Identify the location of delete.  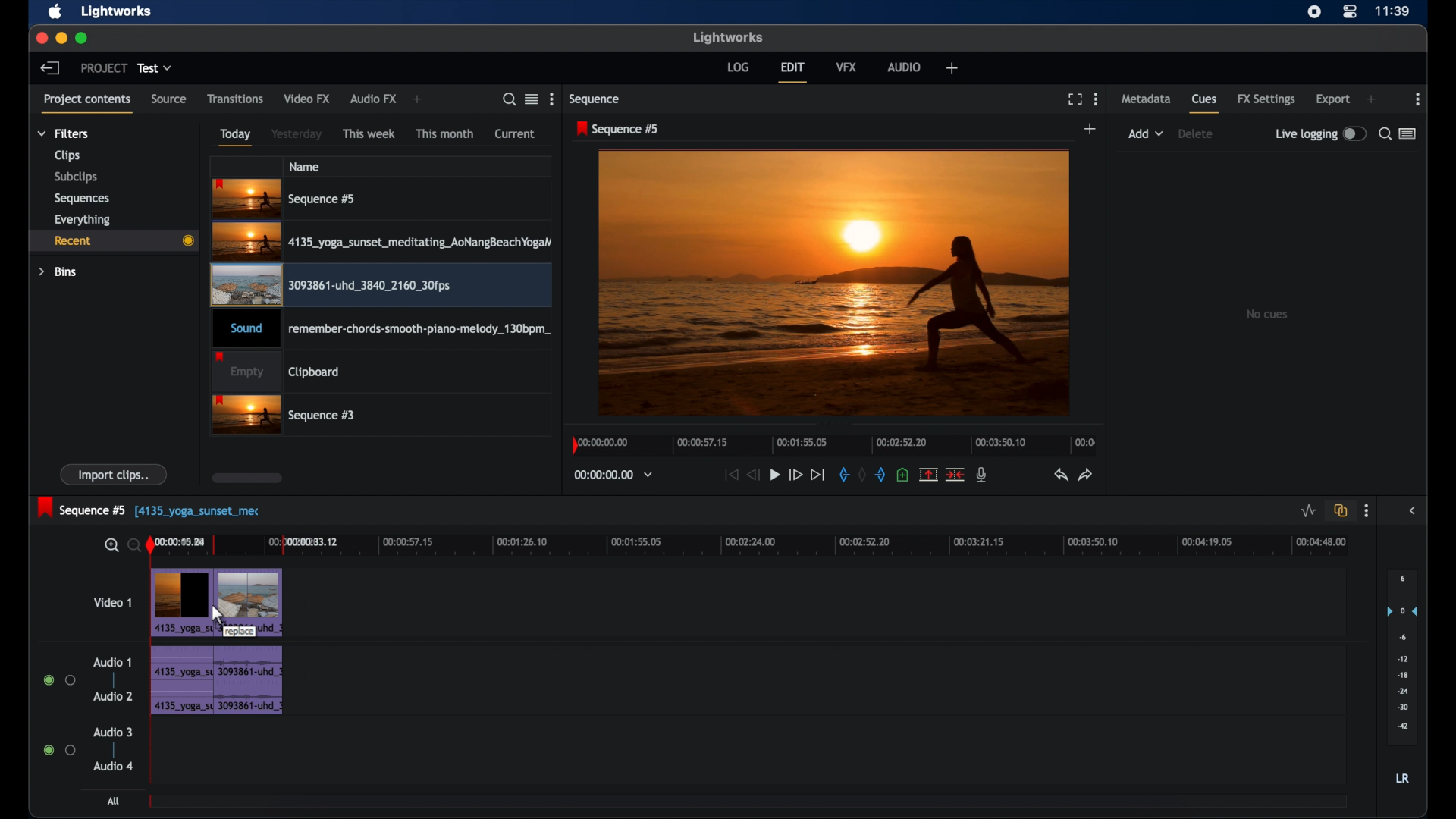
(1195, 133).